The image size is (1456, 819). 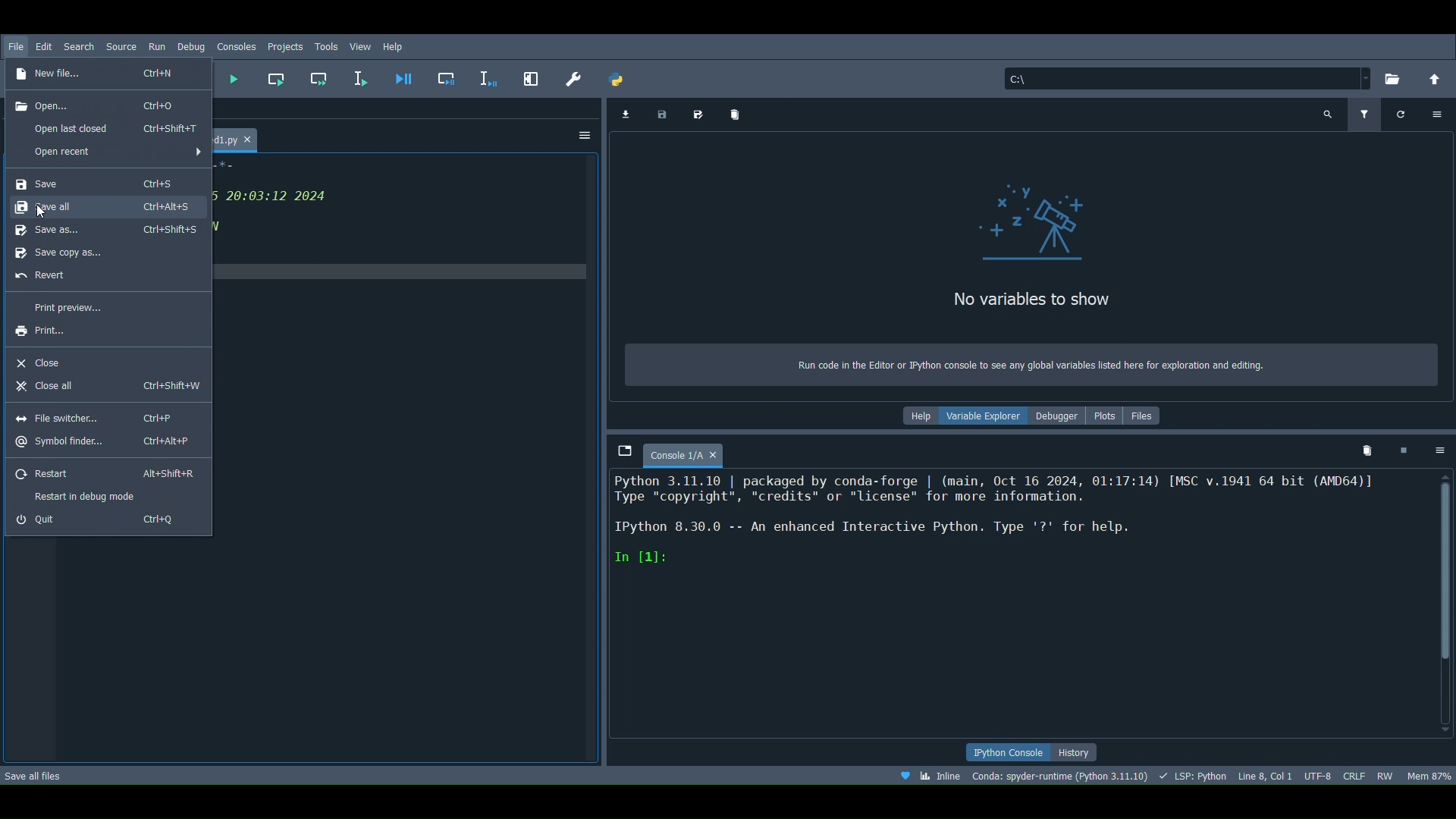 I want to click on Debug selection or current line, so click(x=488, y=76).